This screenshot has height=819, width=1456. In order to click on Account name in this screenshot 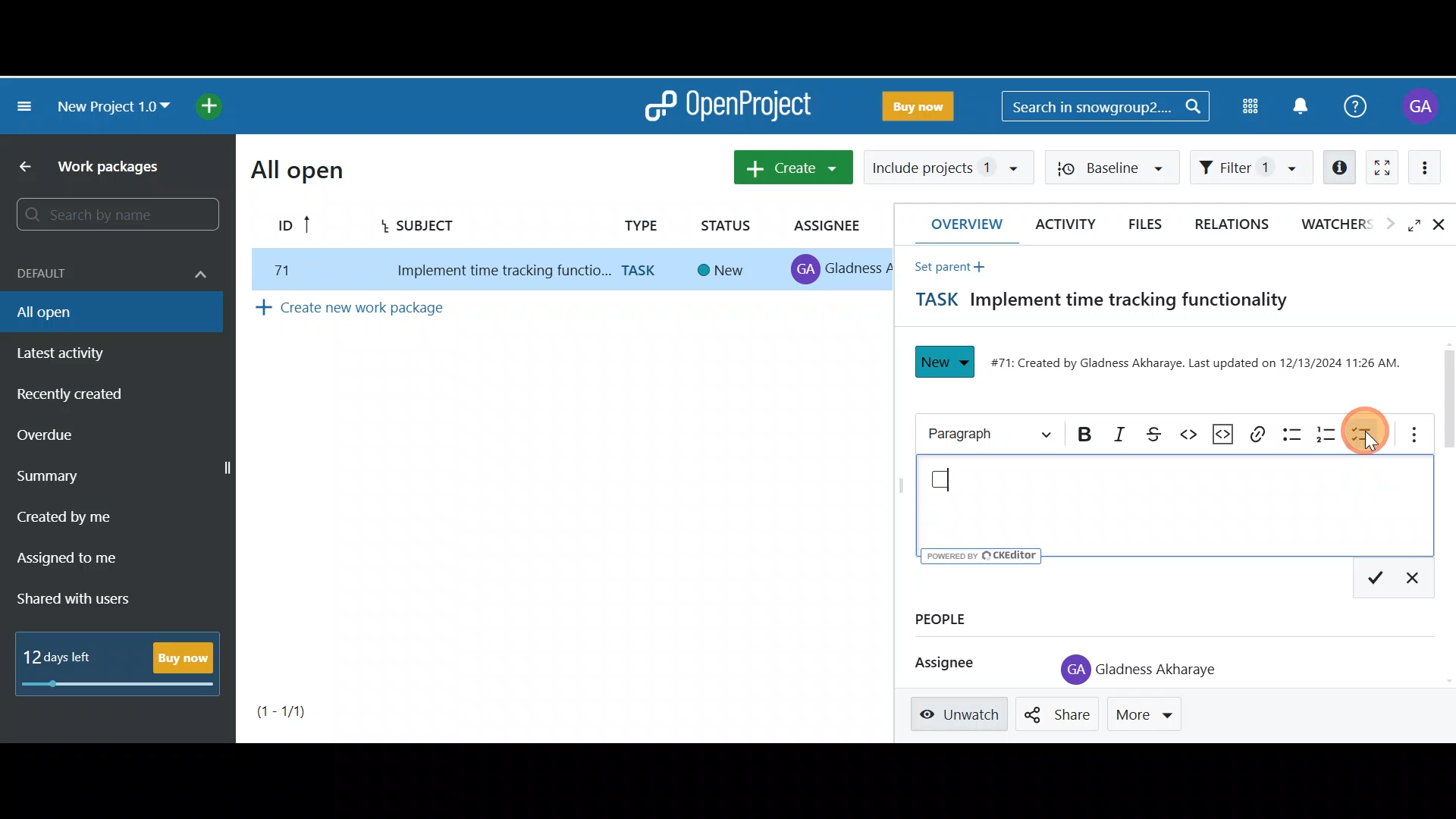, I will do `click(1415, 108)`.